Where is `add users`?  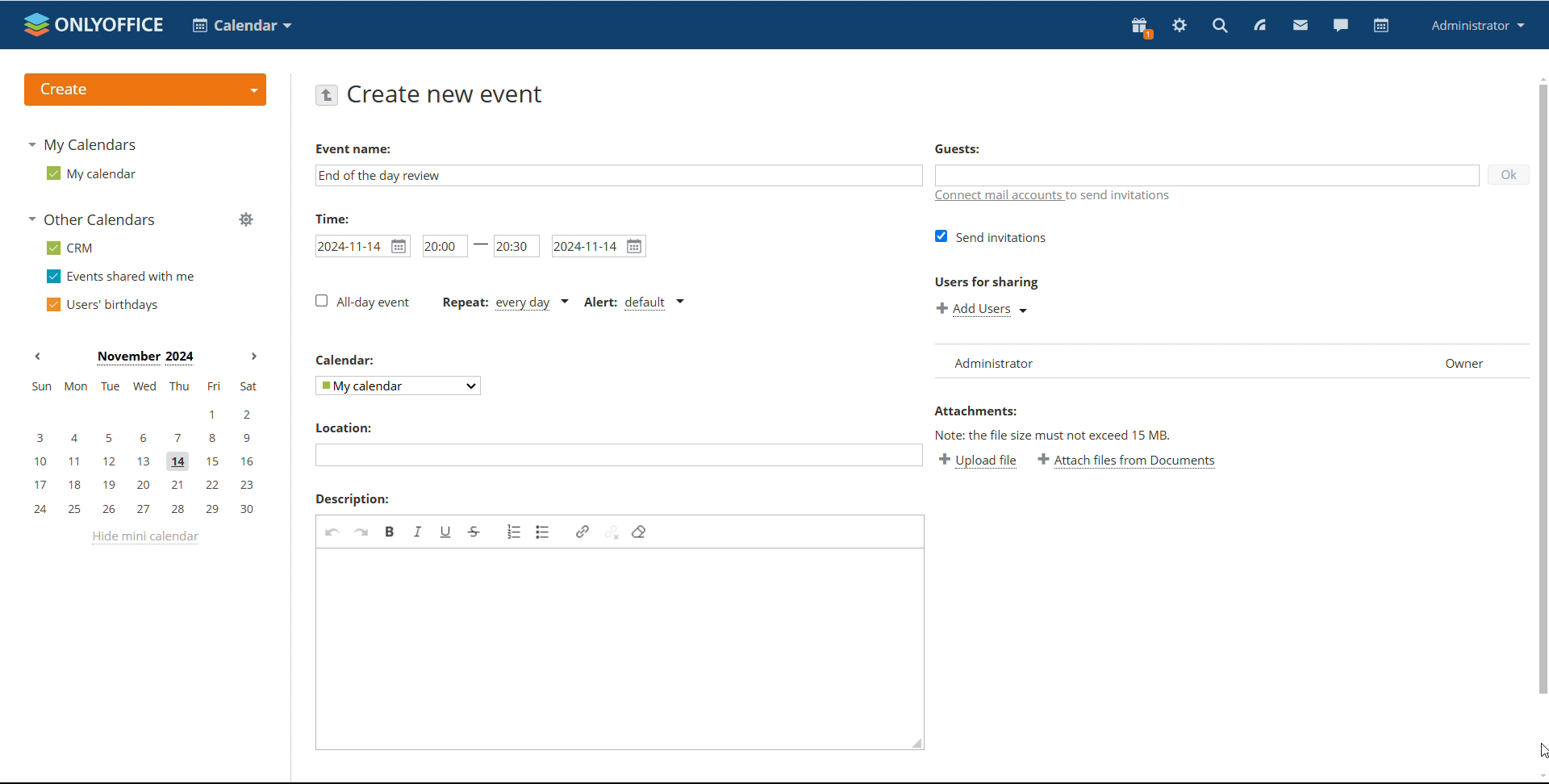
add users is located at coordinates (984, 309).